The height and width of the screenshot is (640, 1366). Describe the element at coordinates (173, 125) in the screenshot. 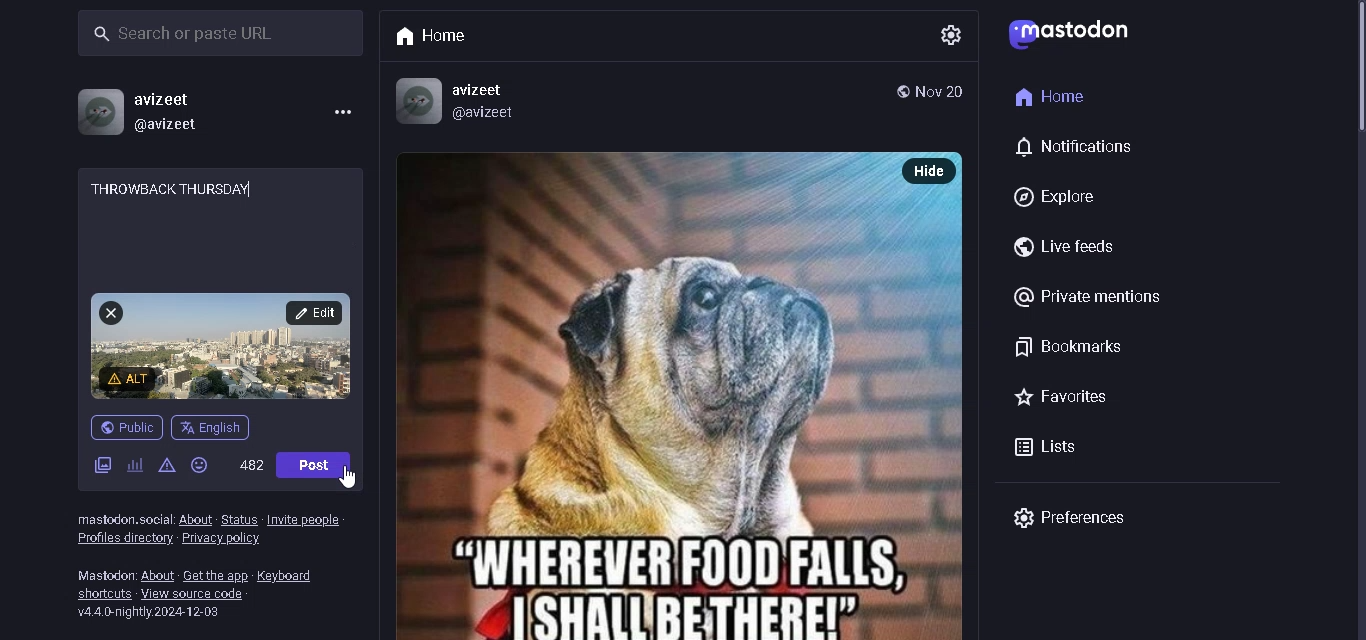

I see `@username` at that location.